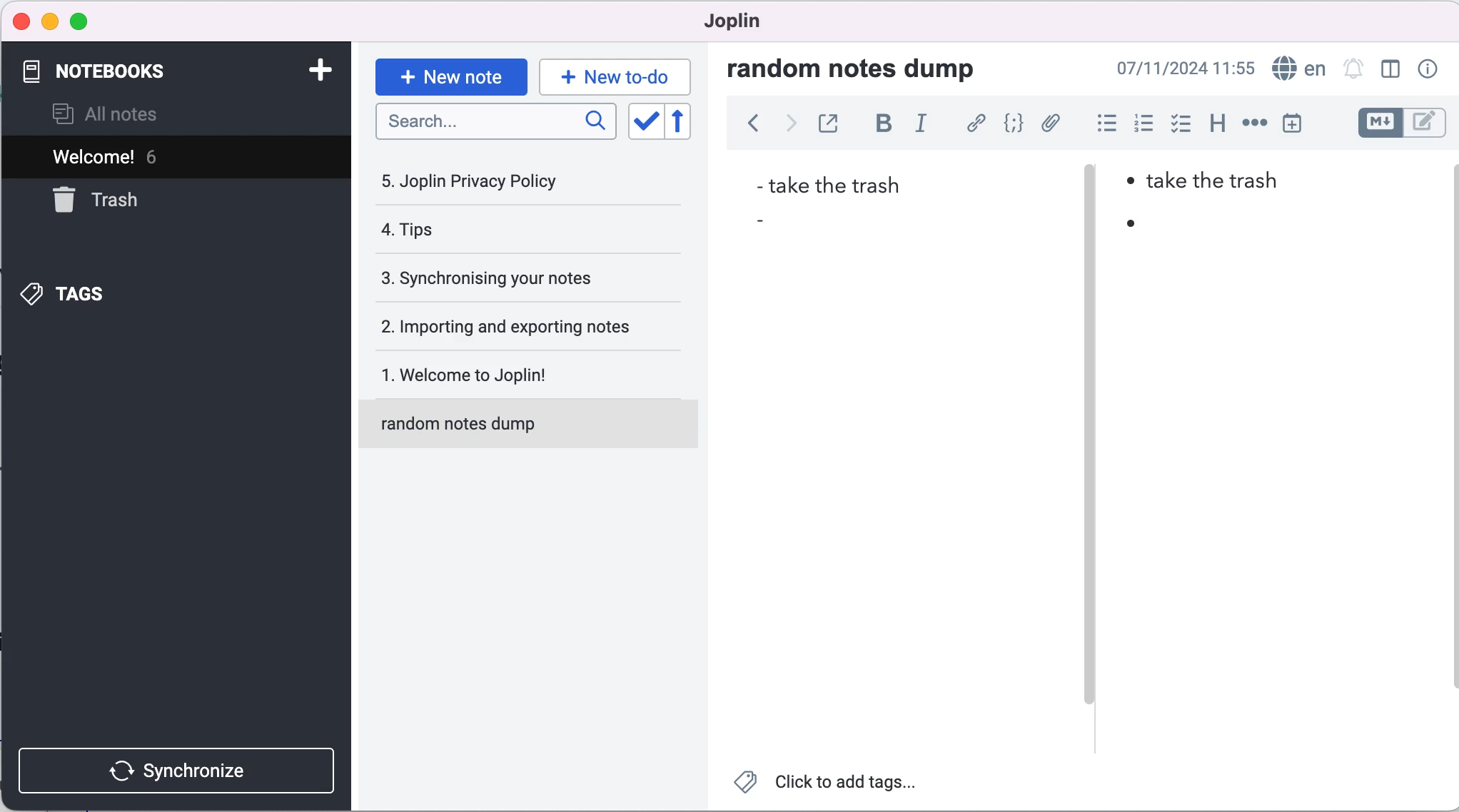 The image size is (1459, 812). I want to click on notebooks, so click(141, 72).